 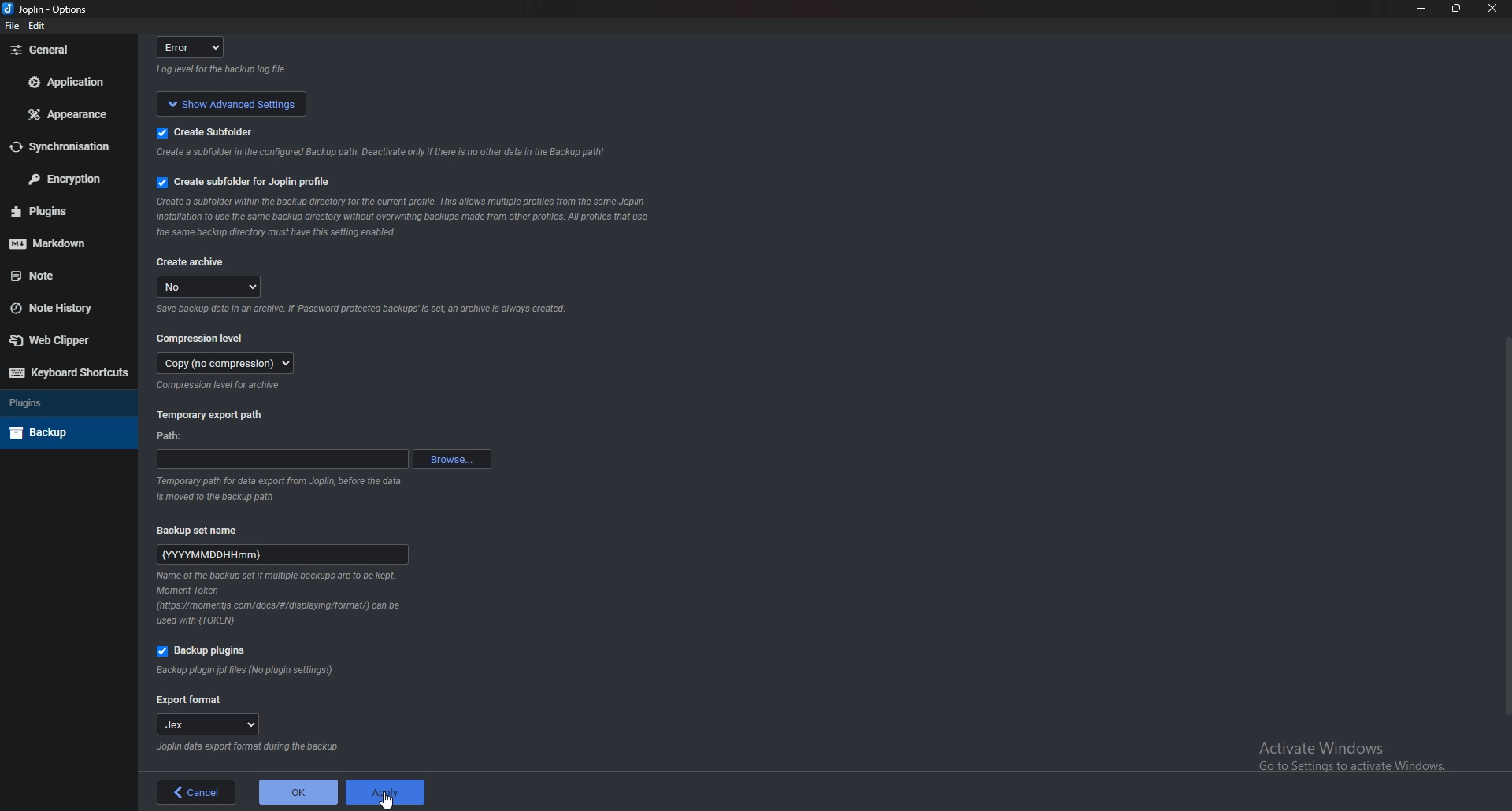 I want to click on Application, so click(x=69, y=82).